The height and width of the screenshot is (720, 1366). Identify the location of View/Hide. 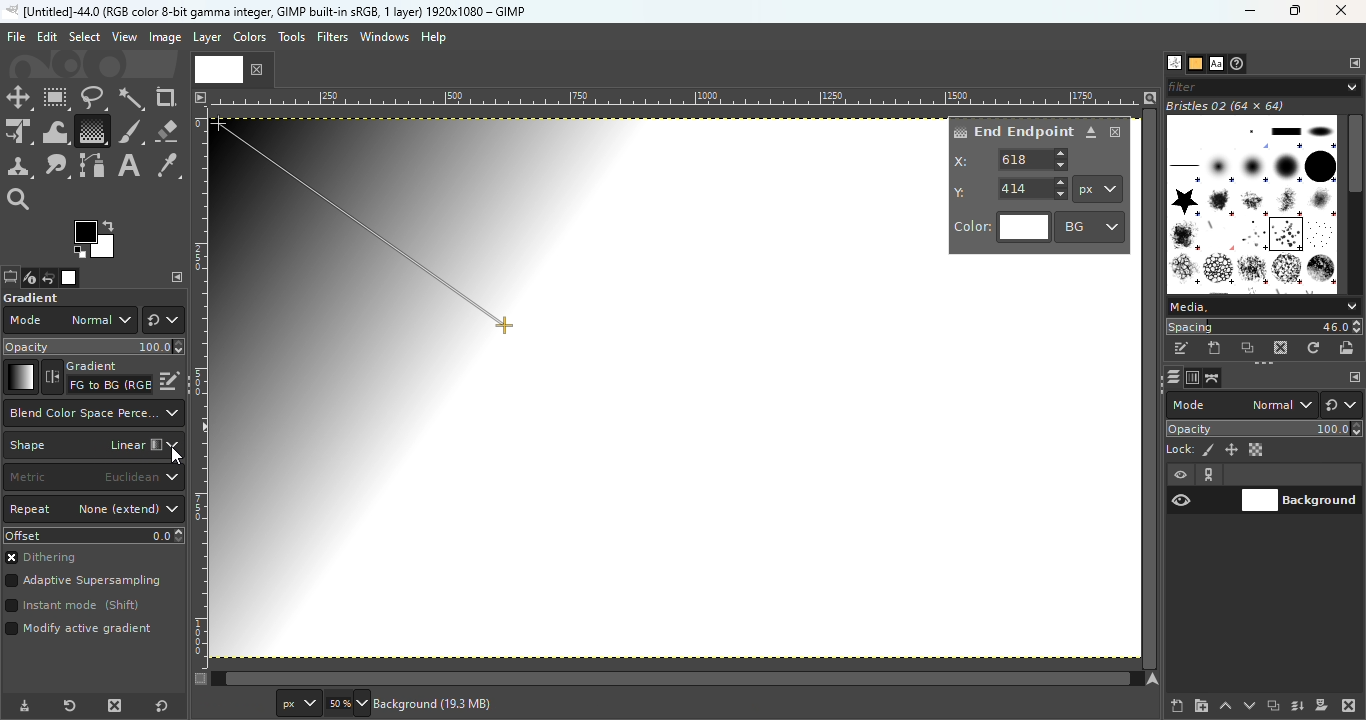
(1202, 488).